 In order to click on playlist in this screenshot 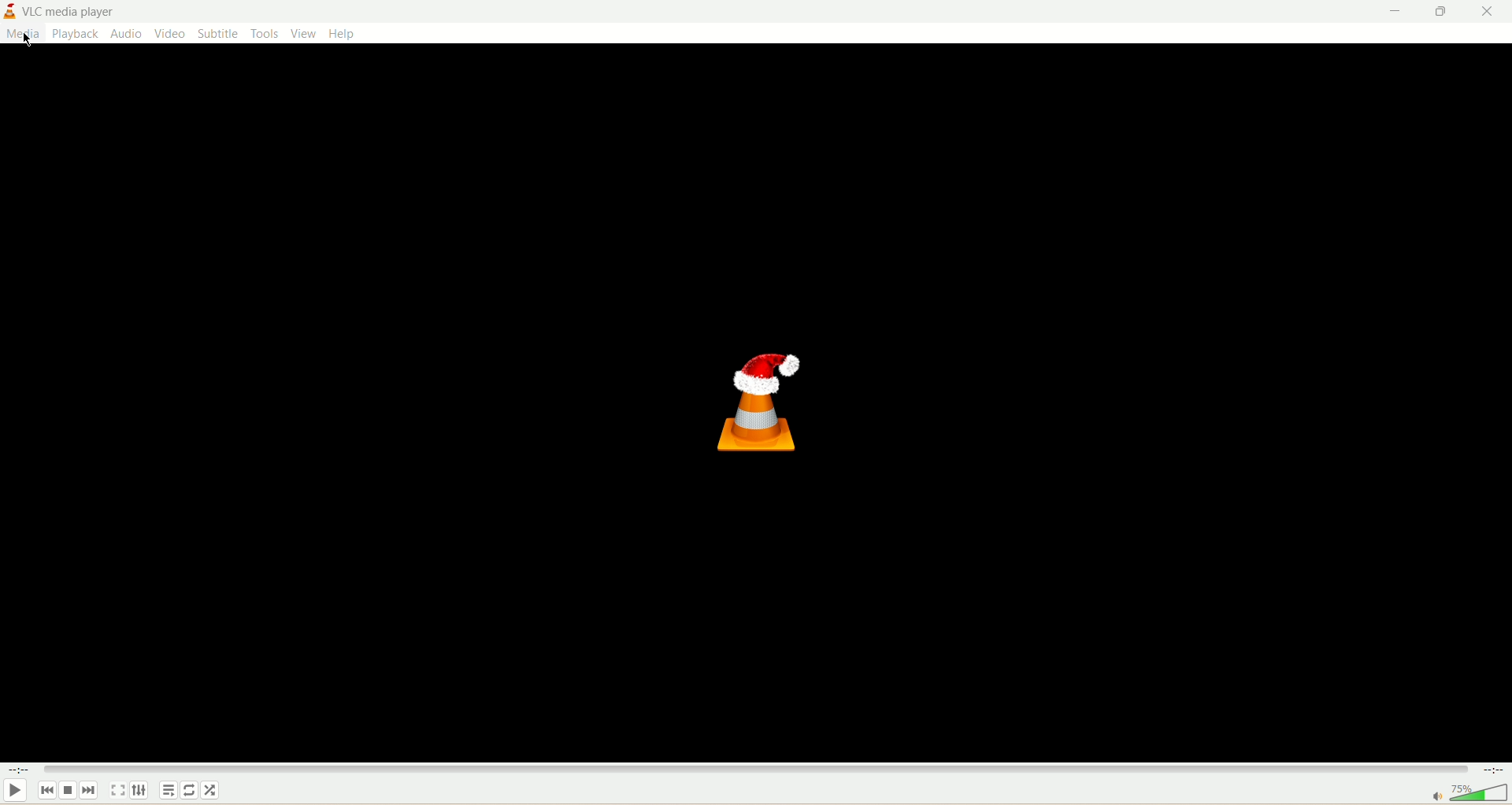, I will do `click(170, 790)`.